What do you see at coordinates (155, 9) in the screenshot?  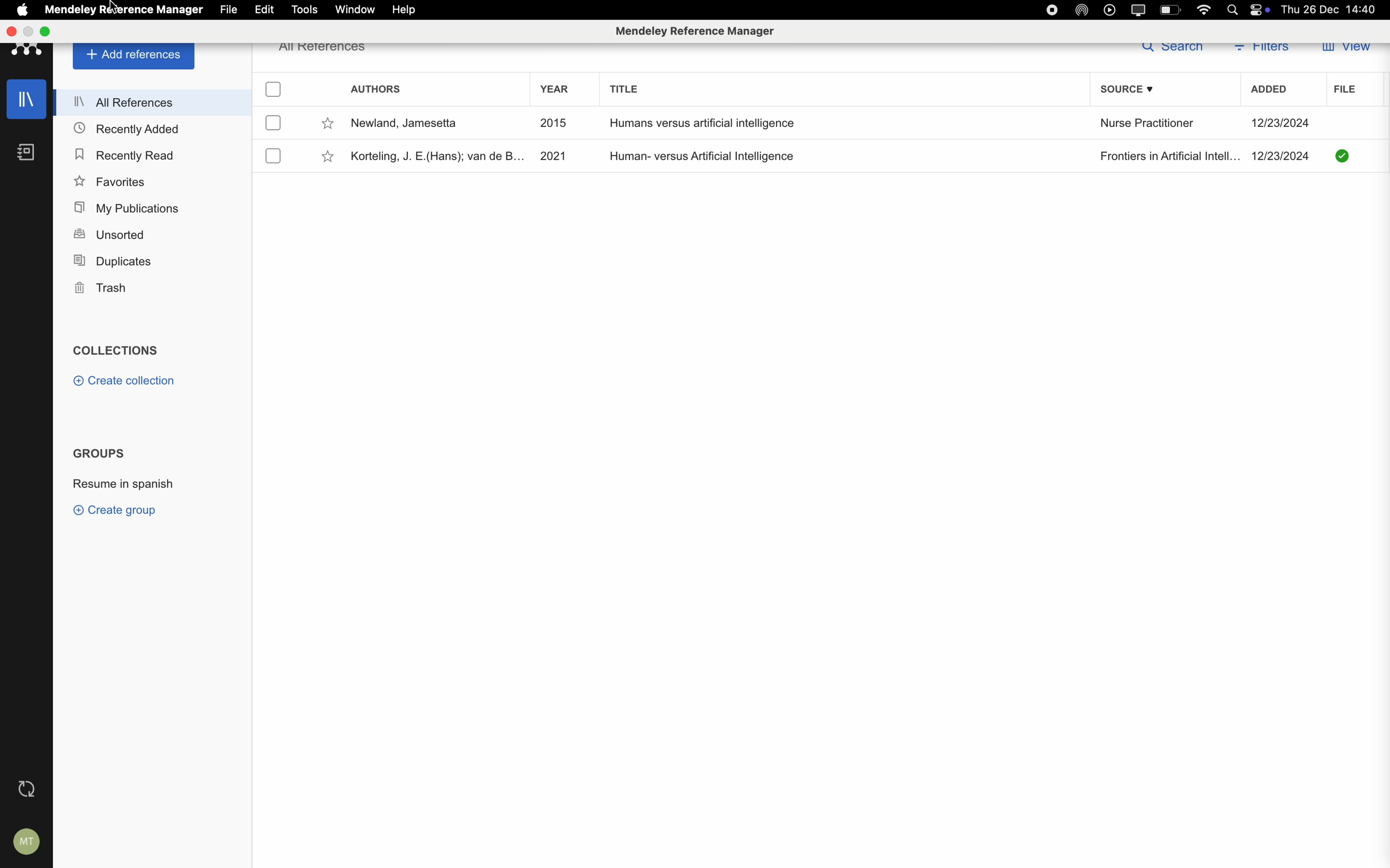 I see `Mendeley Reference Manager` at bounding box center [155, 9].